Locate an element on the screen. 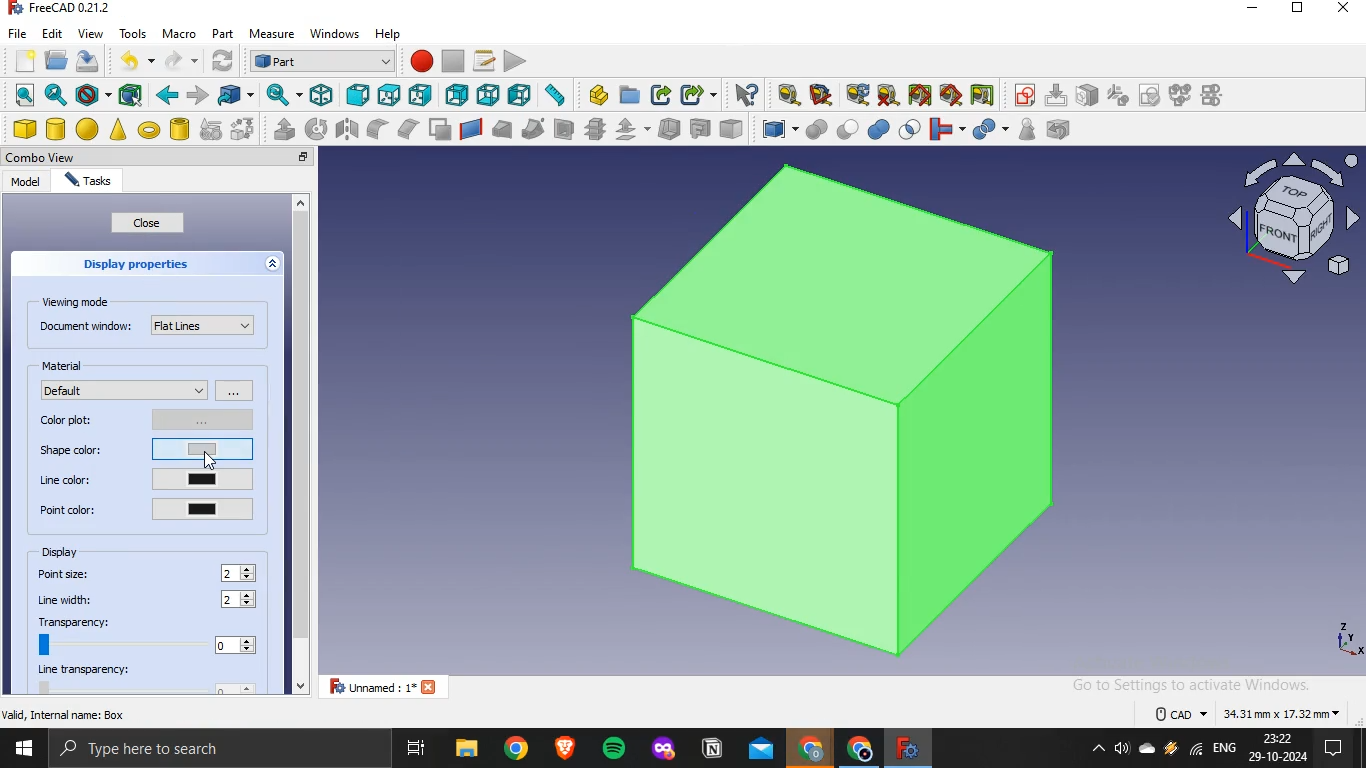  close is located at coordinates (1345, 9).